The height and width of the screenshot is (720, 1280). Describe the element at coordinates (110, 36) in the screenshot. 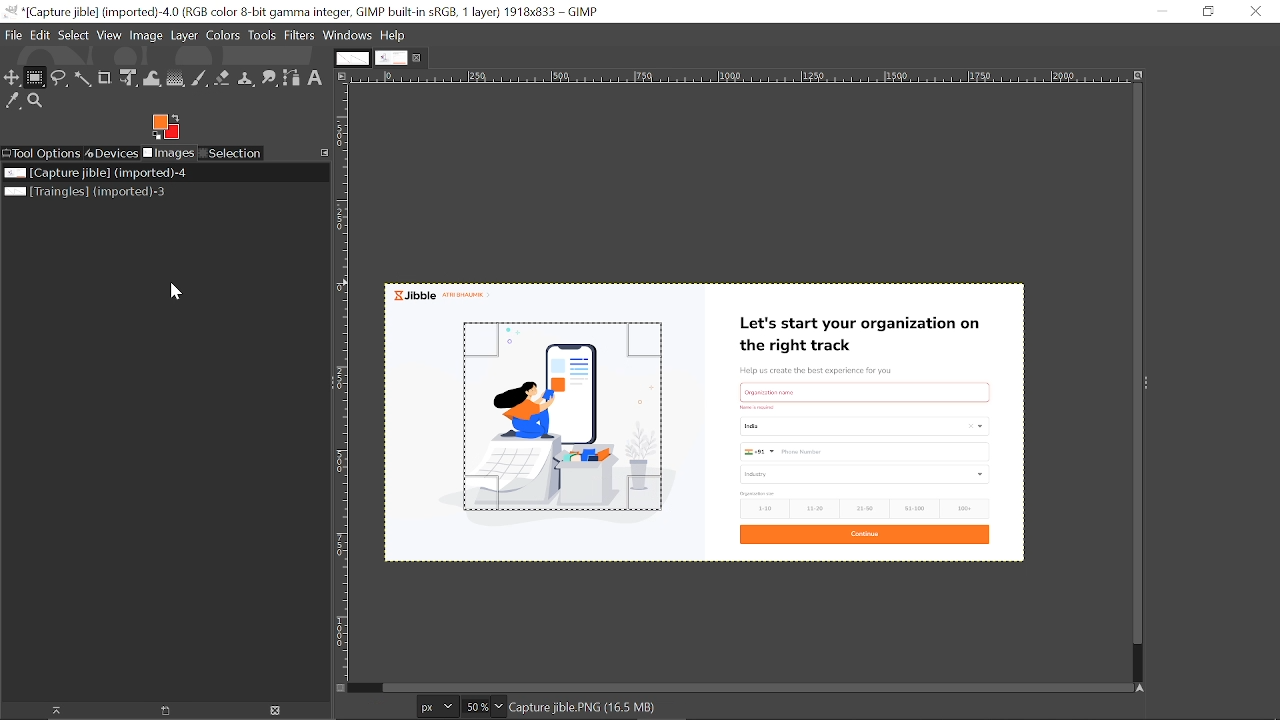

I see `View` at that location.